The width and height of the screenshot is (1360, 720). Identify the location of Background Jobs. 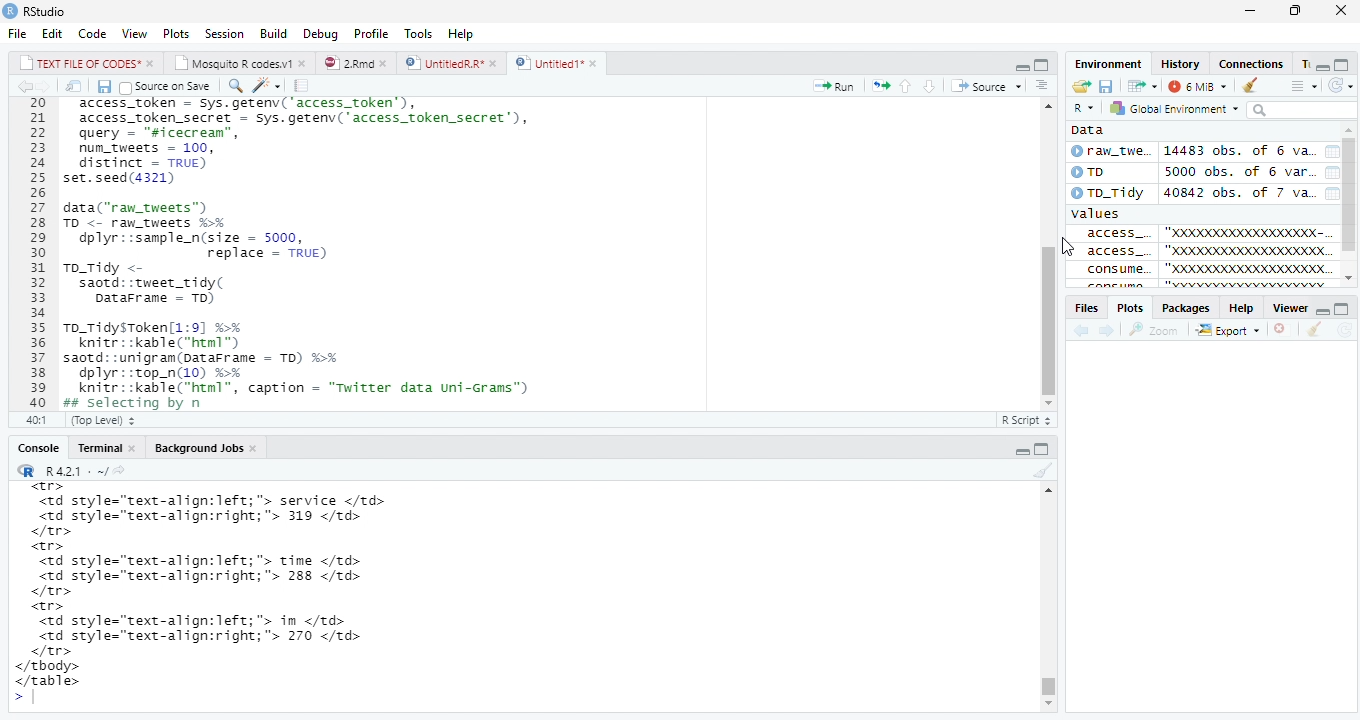
(208, 447).